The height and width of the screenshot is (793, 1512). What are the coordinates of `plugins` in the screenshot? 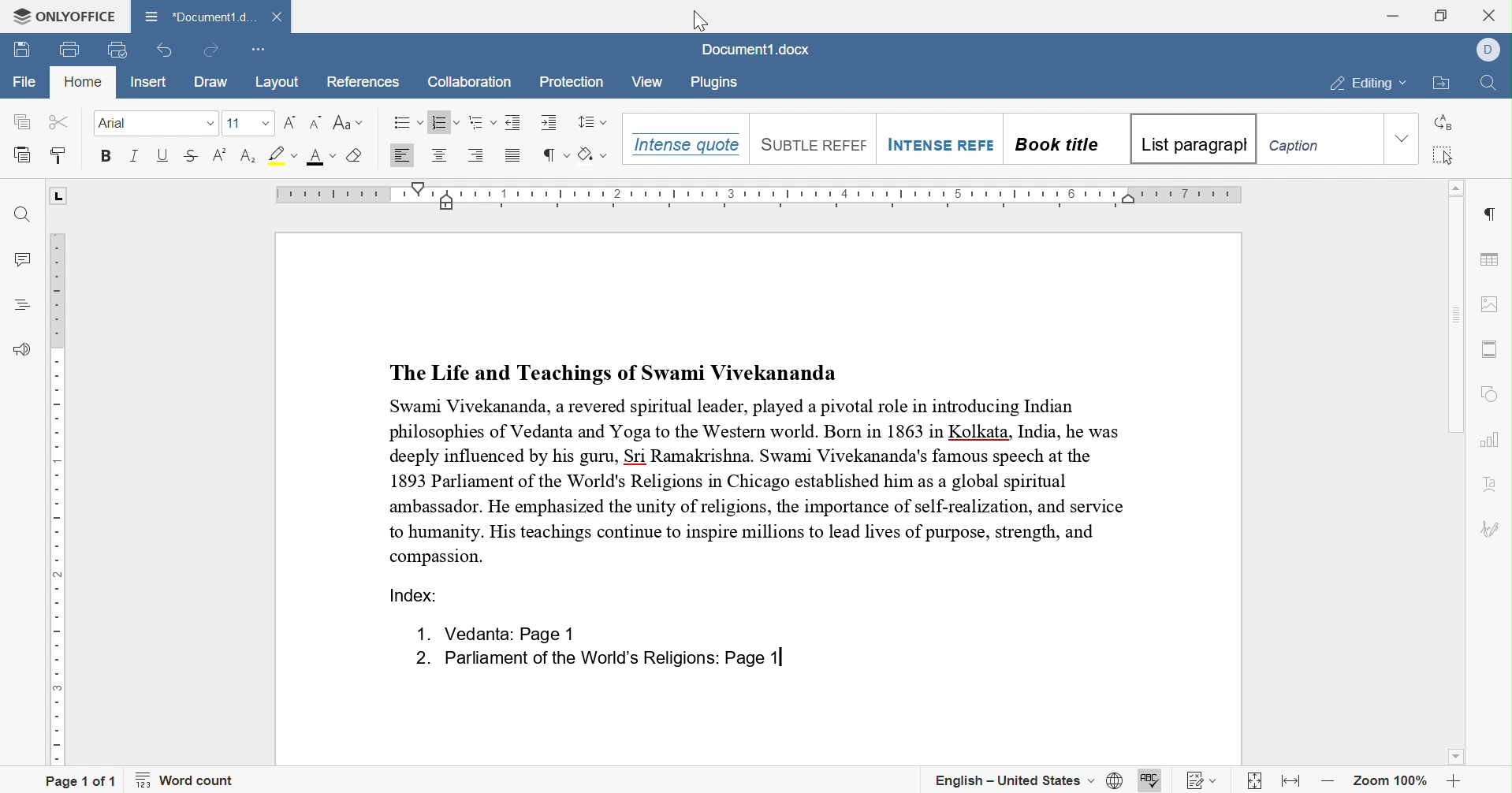 It's located at (713, 83).